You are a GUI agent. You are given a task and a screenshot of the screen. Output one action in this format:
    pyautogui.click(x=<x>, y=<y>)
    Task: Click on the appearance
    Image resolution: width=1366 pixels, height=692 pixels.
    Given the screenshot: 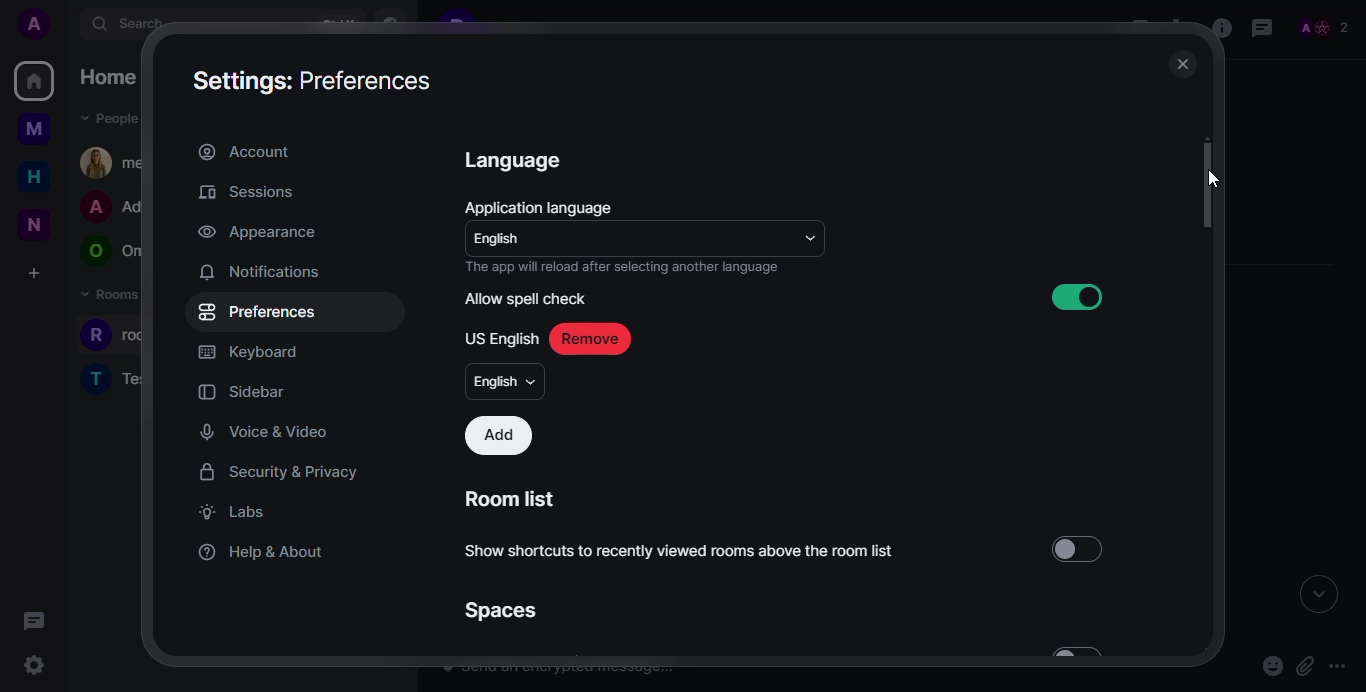 What is the action you would take?
    pyautogui.click(x=255, y=233)
    